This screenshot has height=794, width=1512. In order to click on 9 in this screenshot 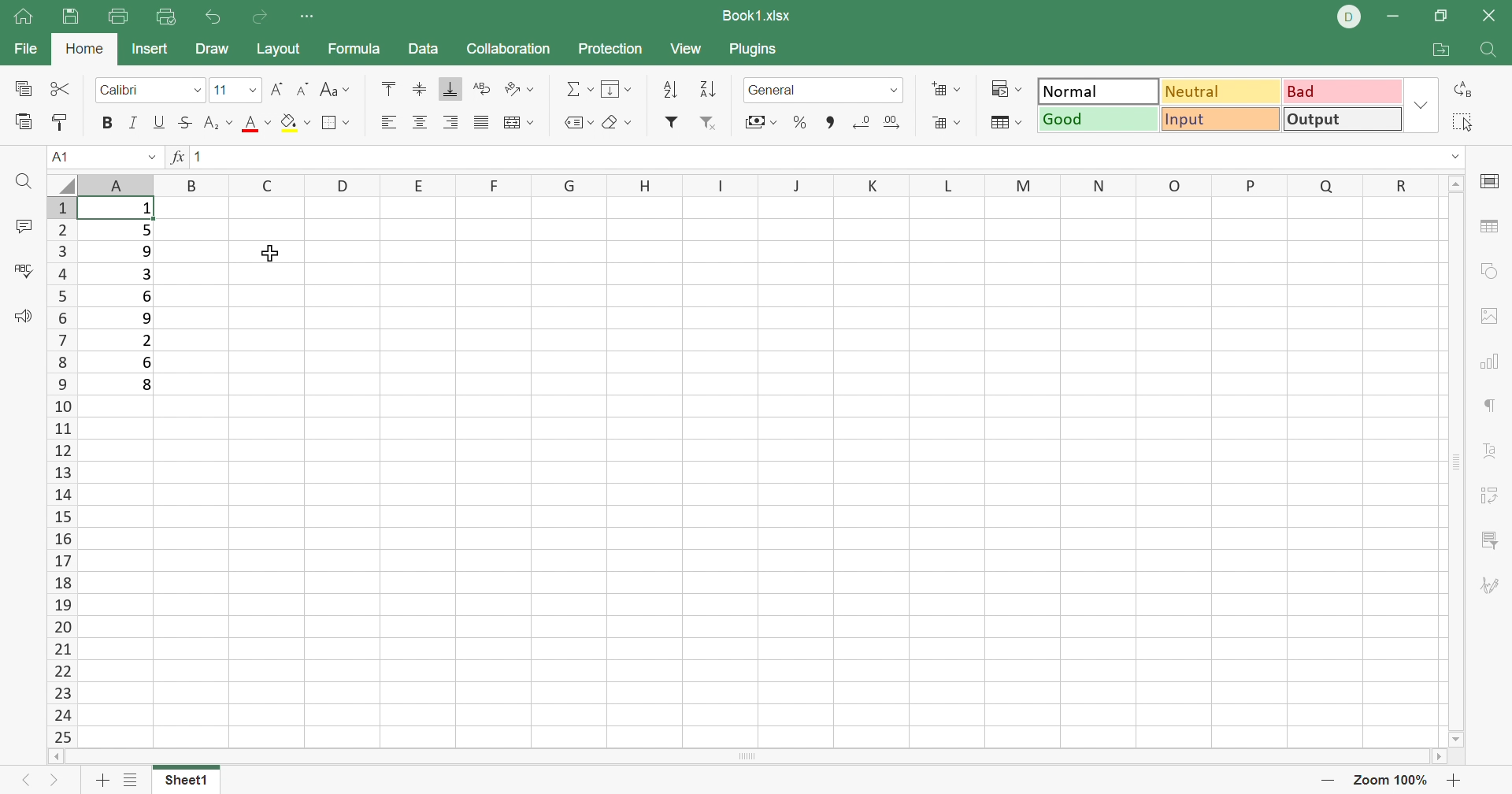, I will do `click(145, 318)`.